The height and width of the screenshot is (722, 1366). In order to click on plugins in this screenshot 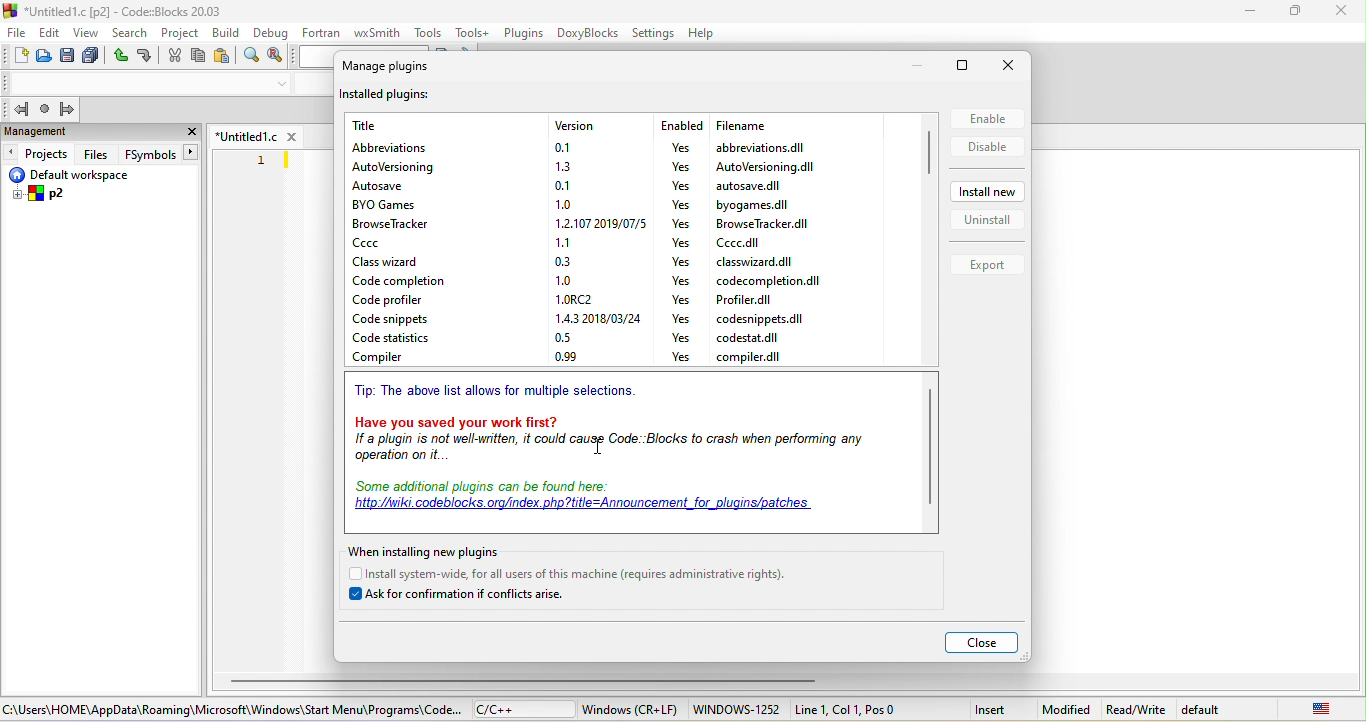, I will do `click(522, 34)`.